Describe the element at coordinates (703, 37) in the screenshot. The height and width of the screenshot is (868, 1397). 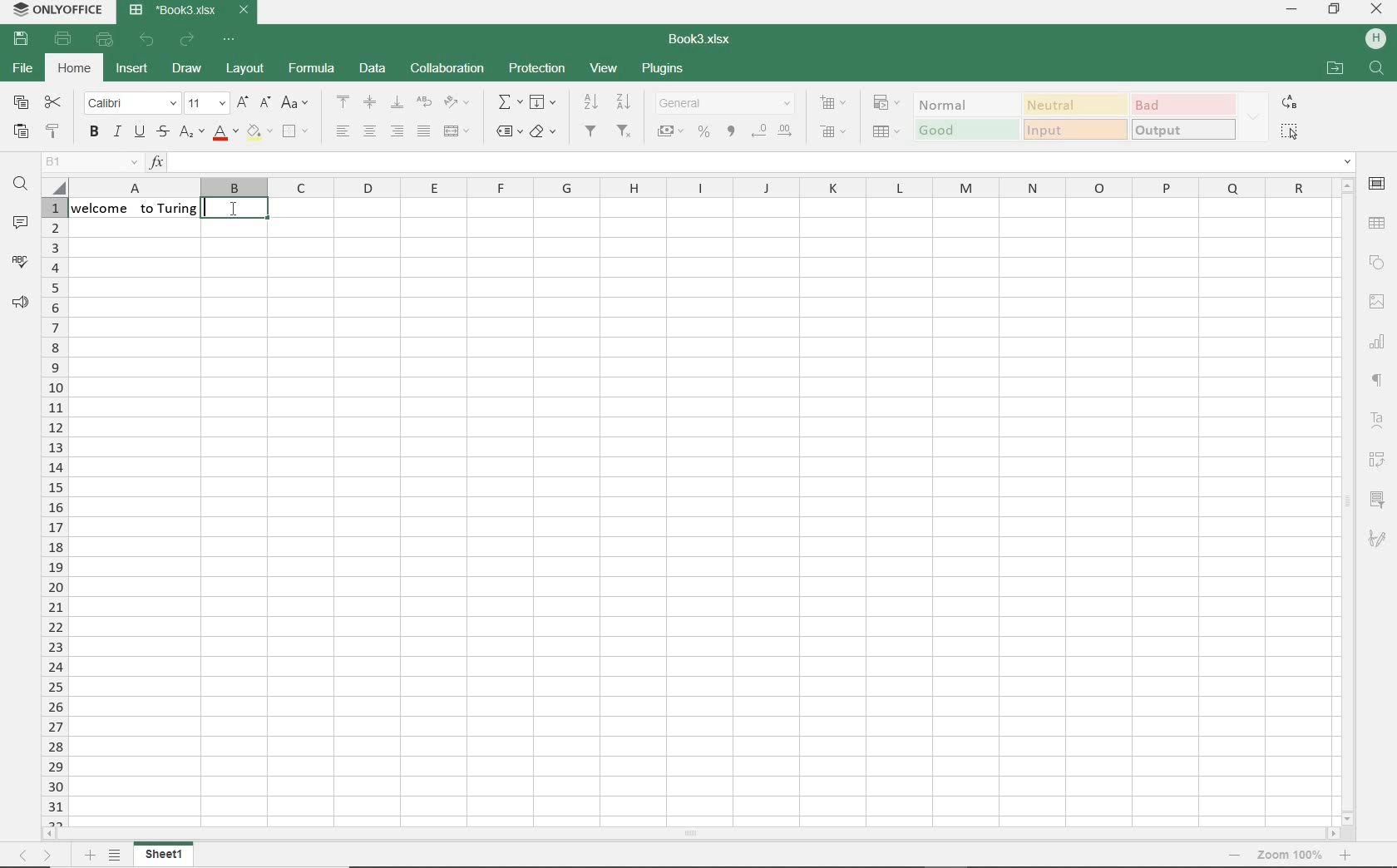
I see `document name` at that location.